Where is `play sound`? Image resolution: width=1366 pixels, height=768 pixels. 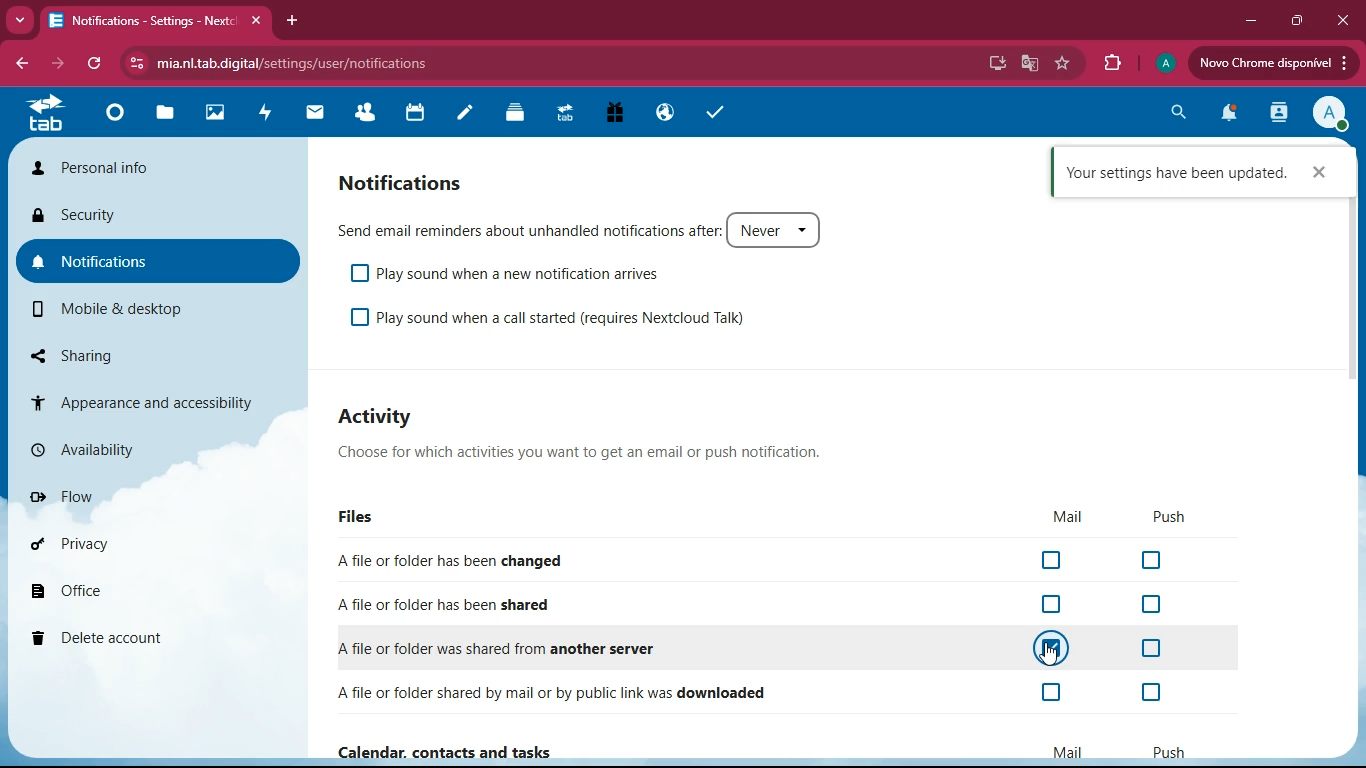
play sound is located at coordinates (564, 319).